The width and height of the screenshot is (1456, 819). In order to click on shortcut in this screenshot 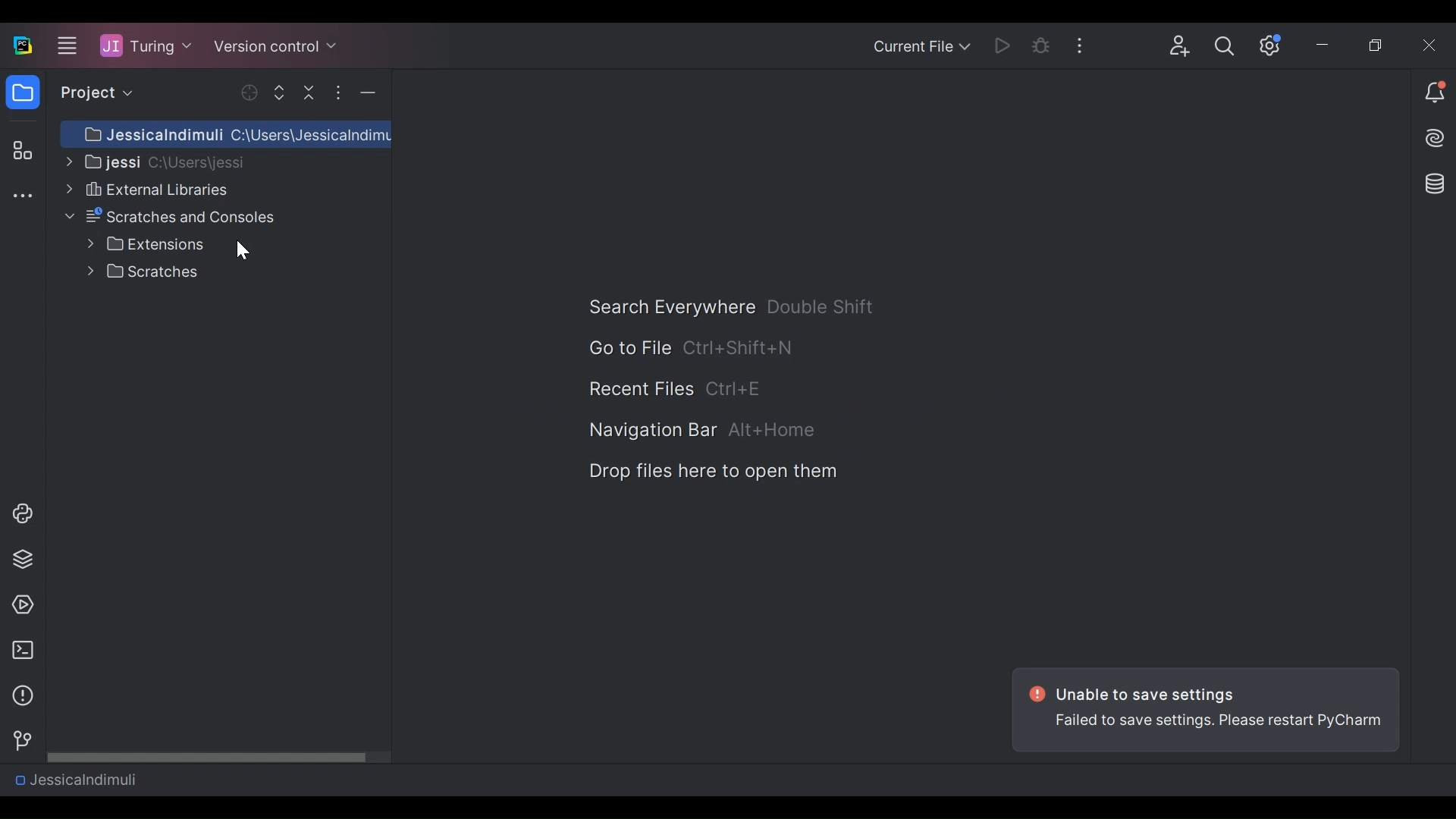, I will do `click(739, 347)`.